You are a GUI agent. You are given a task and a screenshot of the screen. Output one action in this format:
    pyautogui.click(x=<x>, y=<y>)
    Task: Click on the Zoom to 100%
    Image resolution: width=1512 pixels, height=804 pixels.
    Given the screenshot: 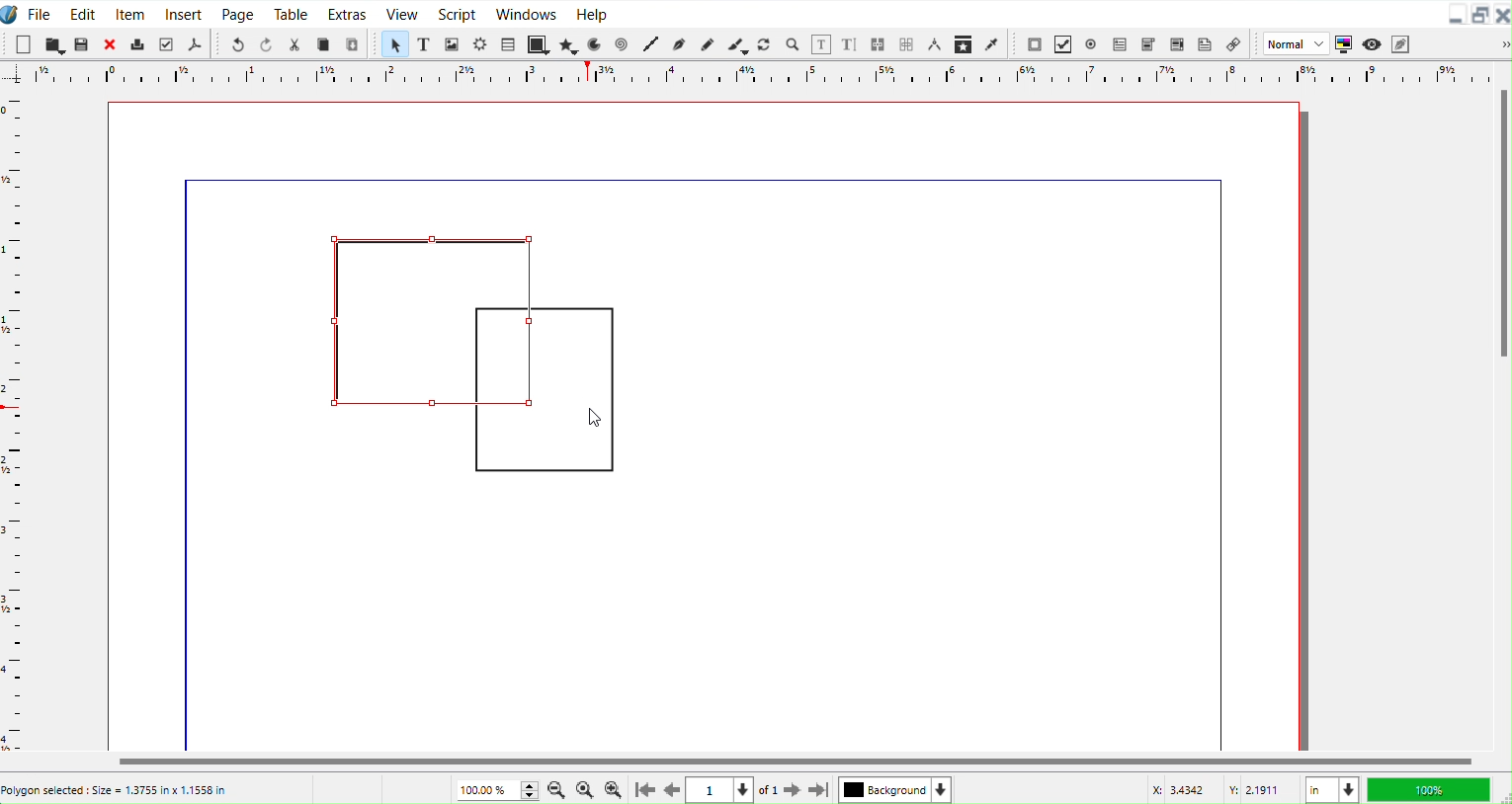 What is the action you would take?
    pyautogui.click(x=585, y=789)
    